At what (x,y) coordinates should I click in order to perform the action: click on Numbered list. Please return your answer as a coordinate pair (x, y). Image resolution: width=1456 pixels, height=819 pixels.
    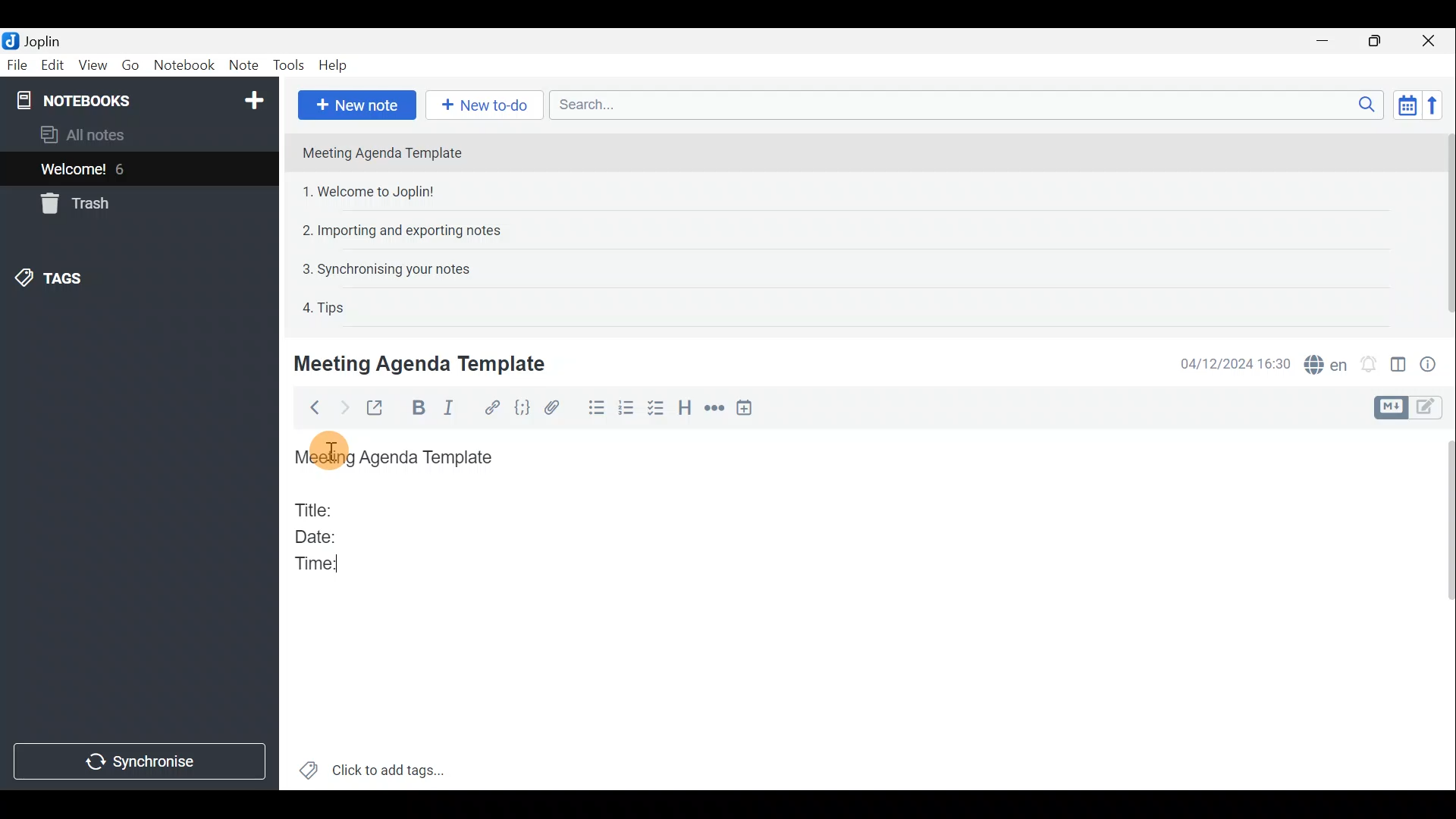
    Looking at the image, I should click on (626, 410).